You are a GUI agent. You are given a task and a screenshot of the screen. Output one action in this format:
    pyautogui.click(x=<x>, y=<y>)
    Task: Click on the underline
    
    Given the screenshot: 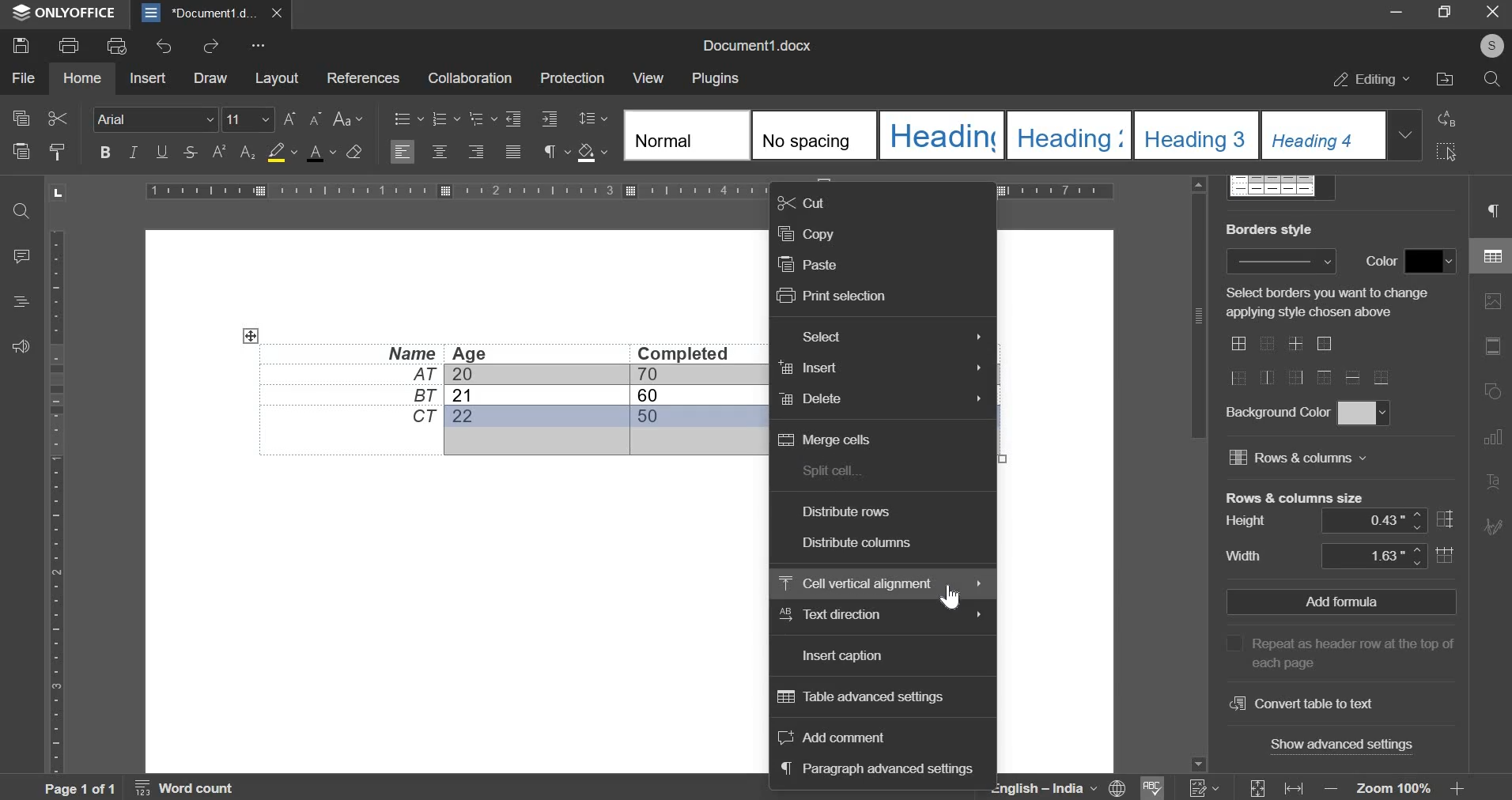 What is the action you would take?
    pyautogui.click(x=159, y=152)
    